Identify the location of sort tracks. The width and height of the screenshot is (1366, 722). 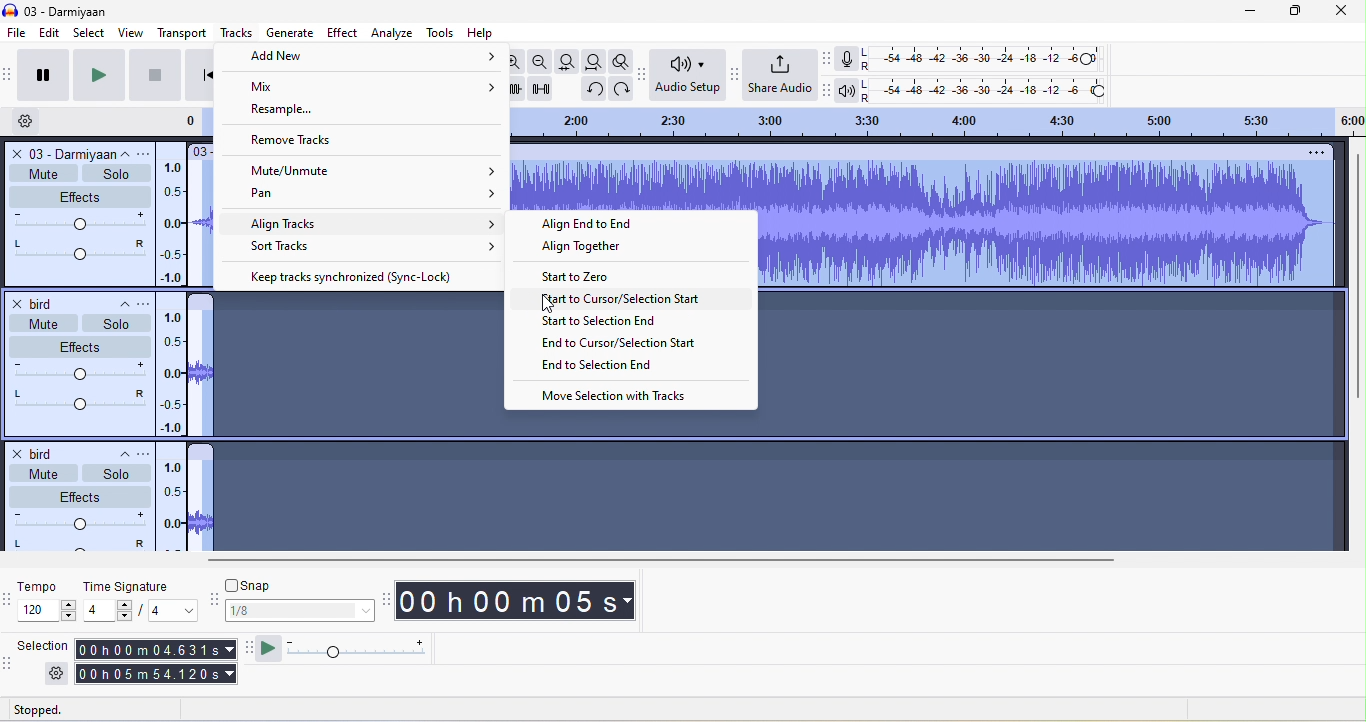
(375, 244).